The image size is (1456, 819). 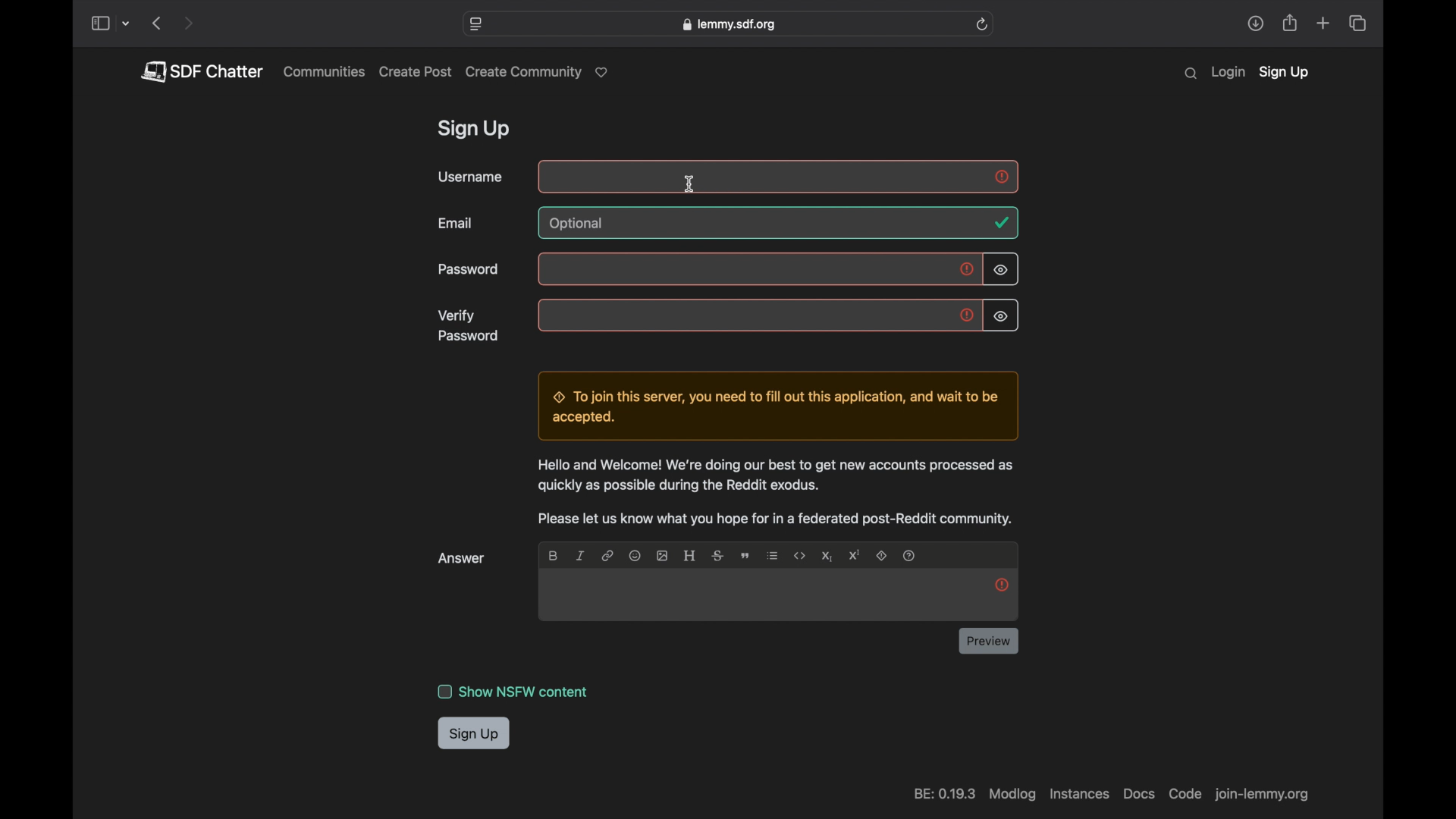 I want to click on share, so click(x=1255, y=24).